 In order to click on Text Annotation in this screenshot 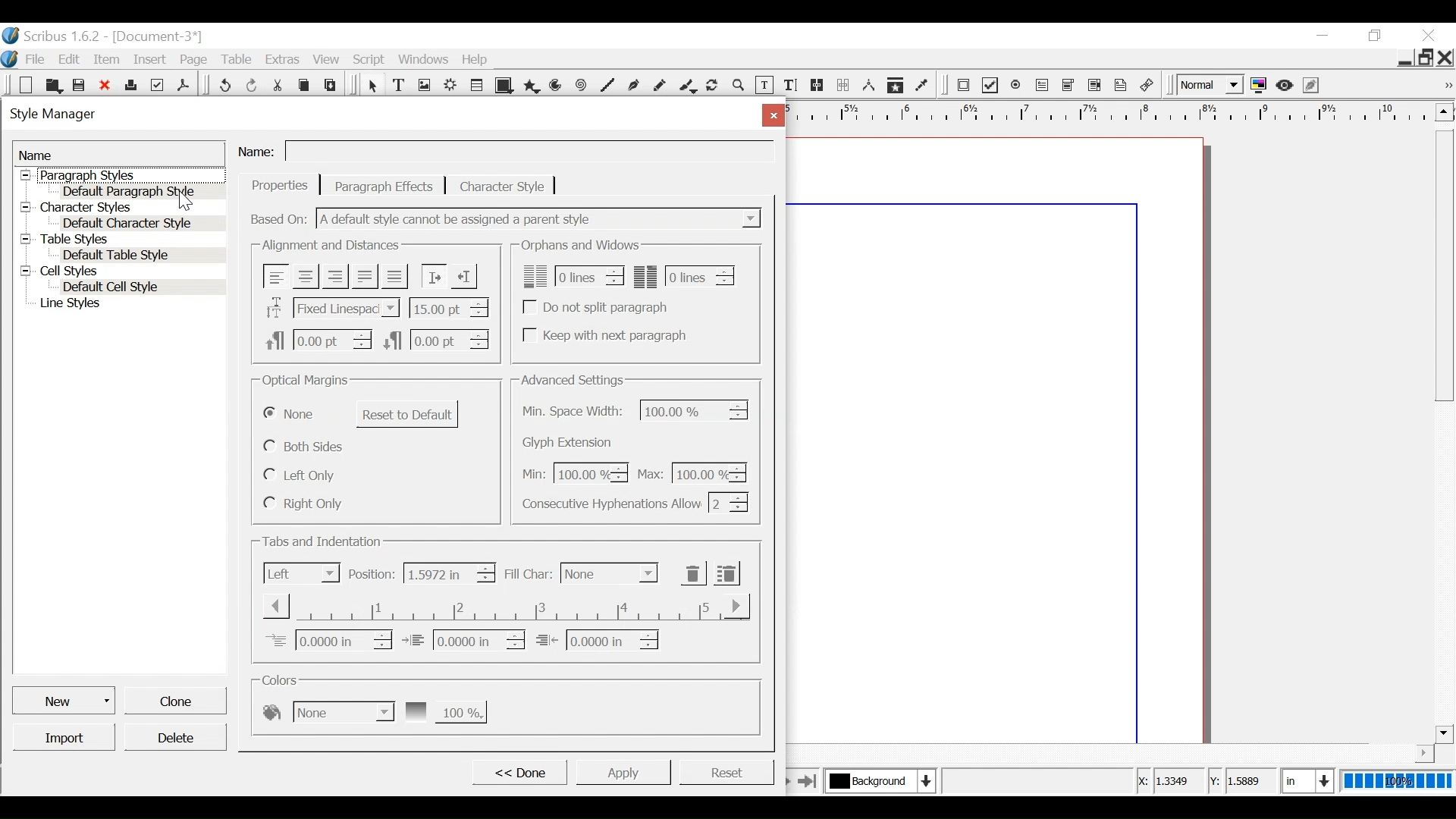, I will do `click(1122, 86)`.